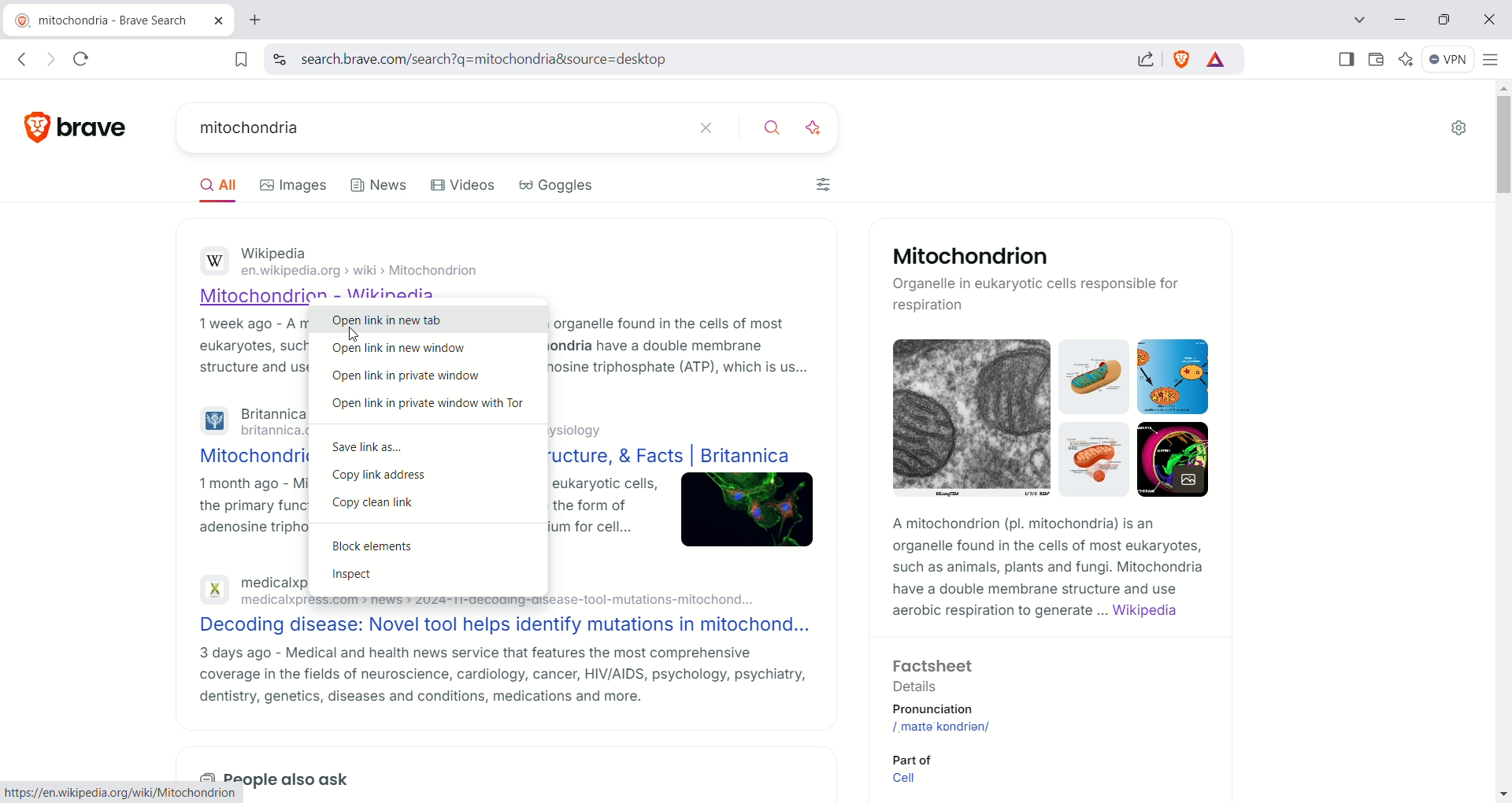 The image size is (1512, 803). I want to click on enhance search with ai, so click(816, 128).